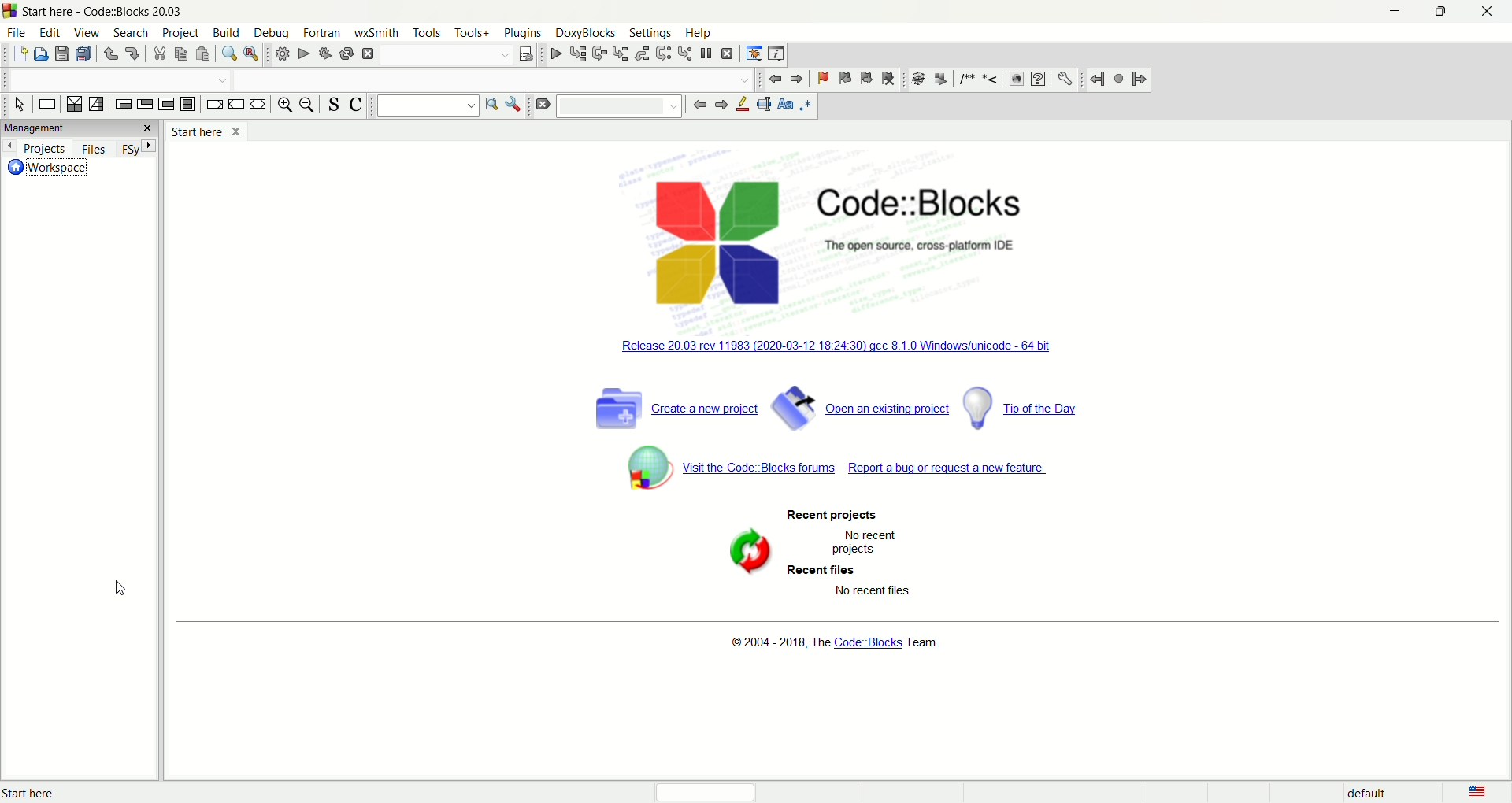 Image resolution: width=1512 pixels, height=803 pixels. I want to click on edit, so click(50, 35).